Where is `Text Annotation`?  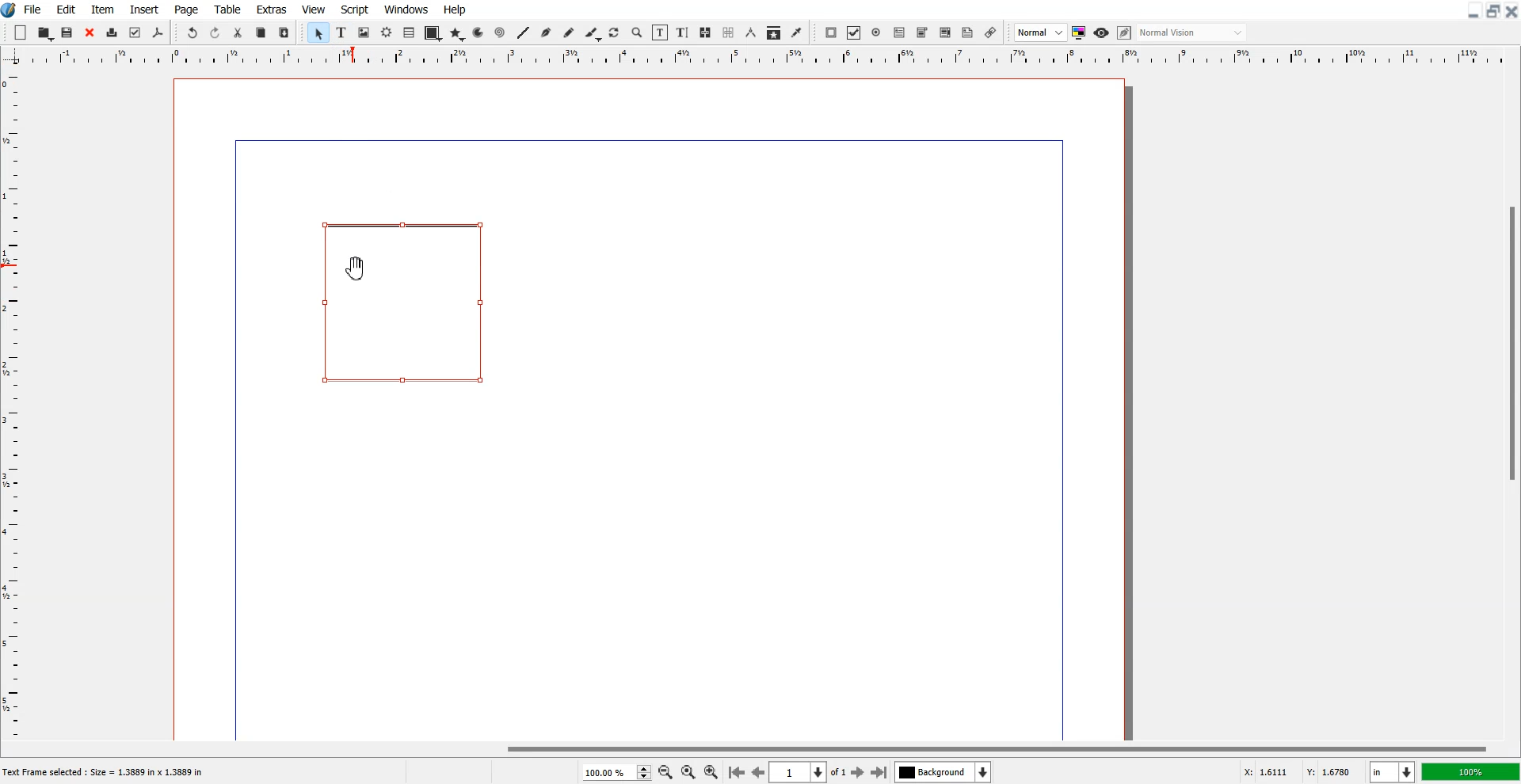 Text Annotation is located at coordinates (967, 33).